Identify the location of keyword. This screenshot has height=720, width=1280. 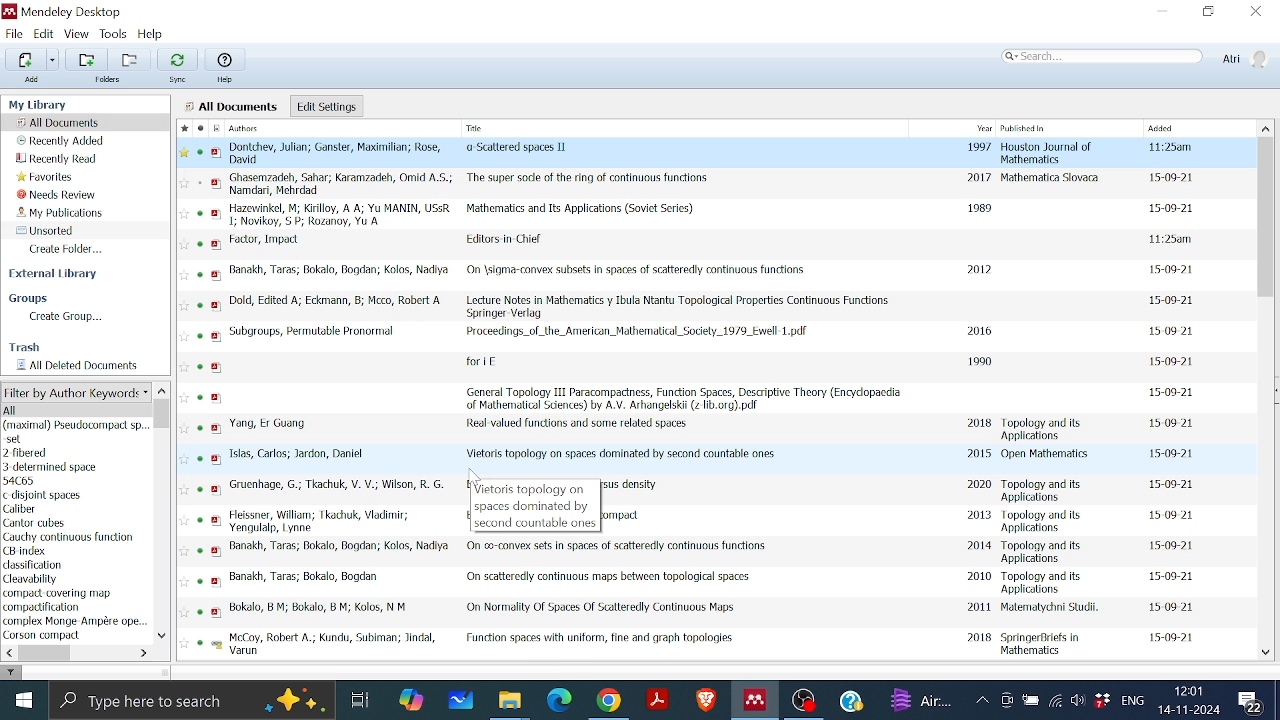
(69, 538).